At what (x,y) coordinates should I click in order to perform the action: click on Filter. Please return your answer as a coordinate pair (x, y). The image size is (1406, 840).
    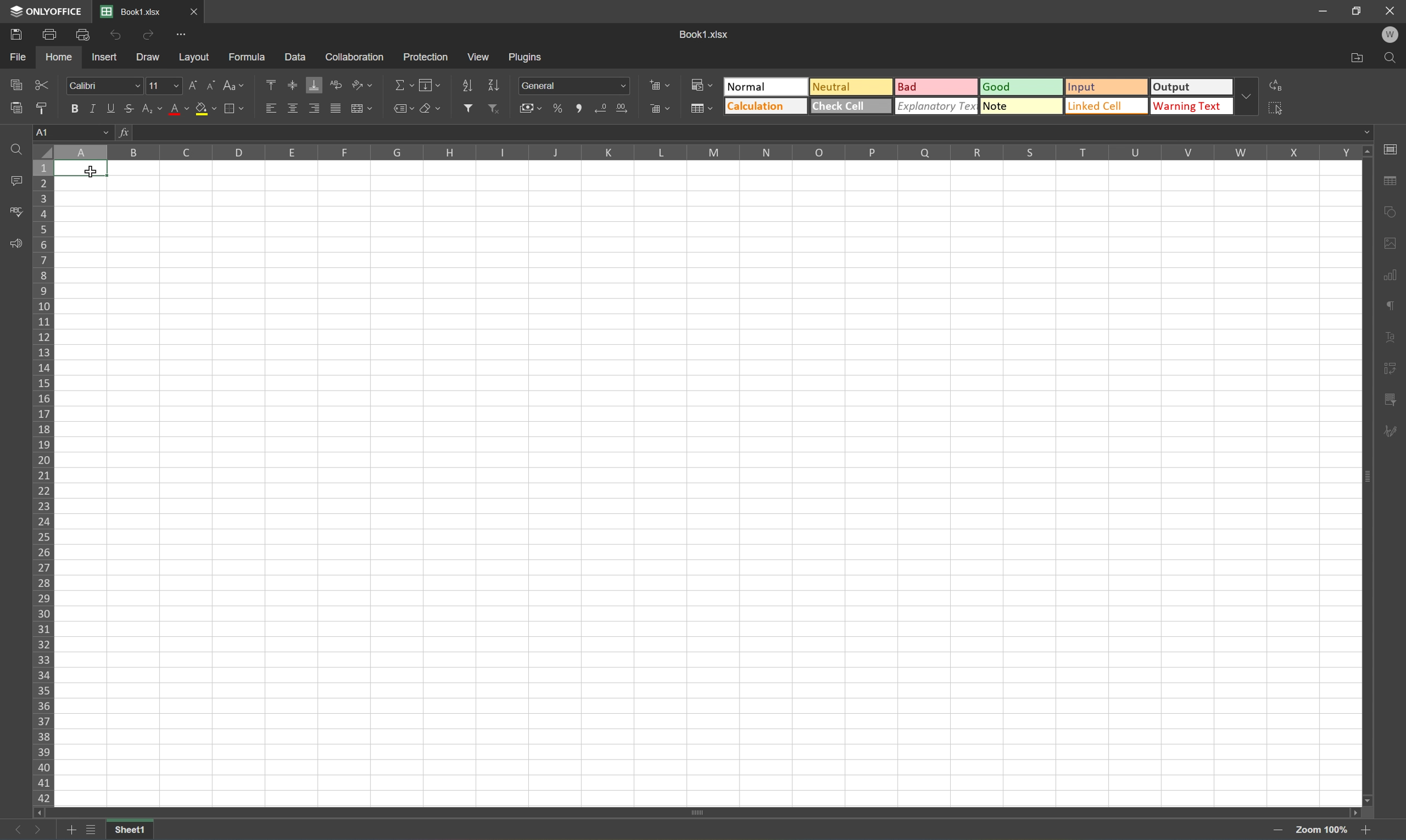
    Looking at the image, I should click on (467, 108).